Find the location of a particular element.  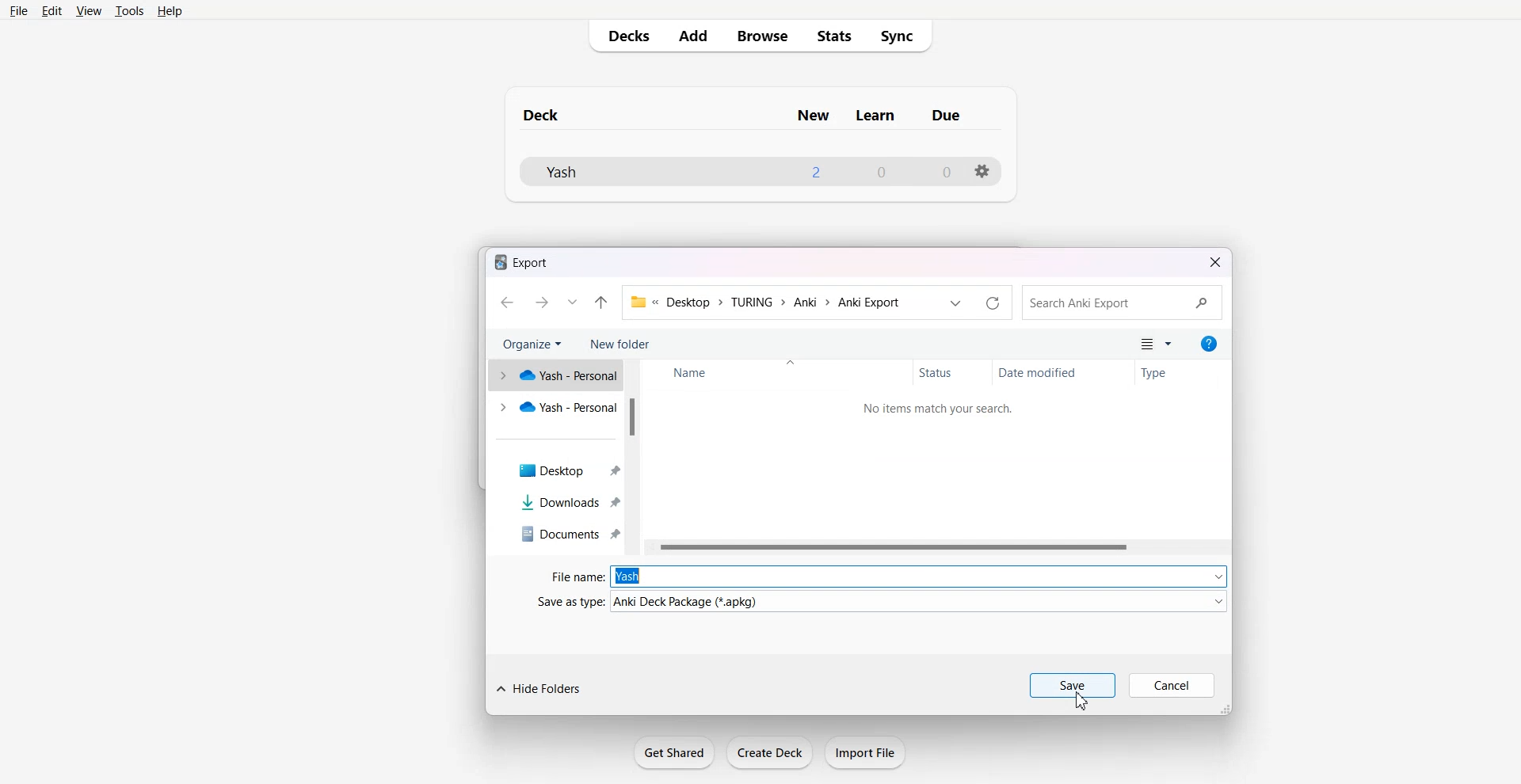

Tools is located at coordinates (130, 12).